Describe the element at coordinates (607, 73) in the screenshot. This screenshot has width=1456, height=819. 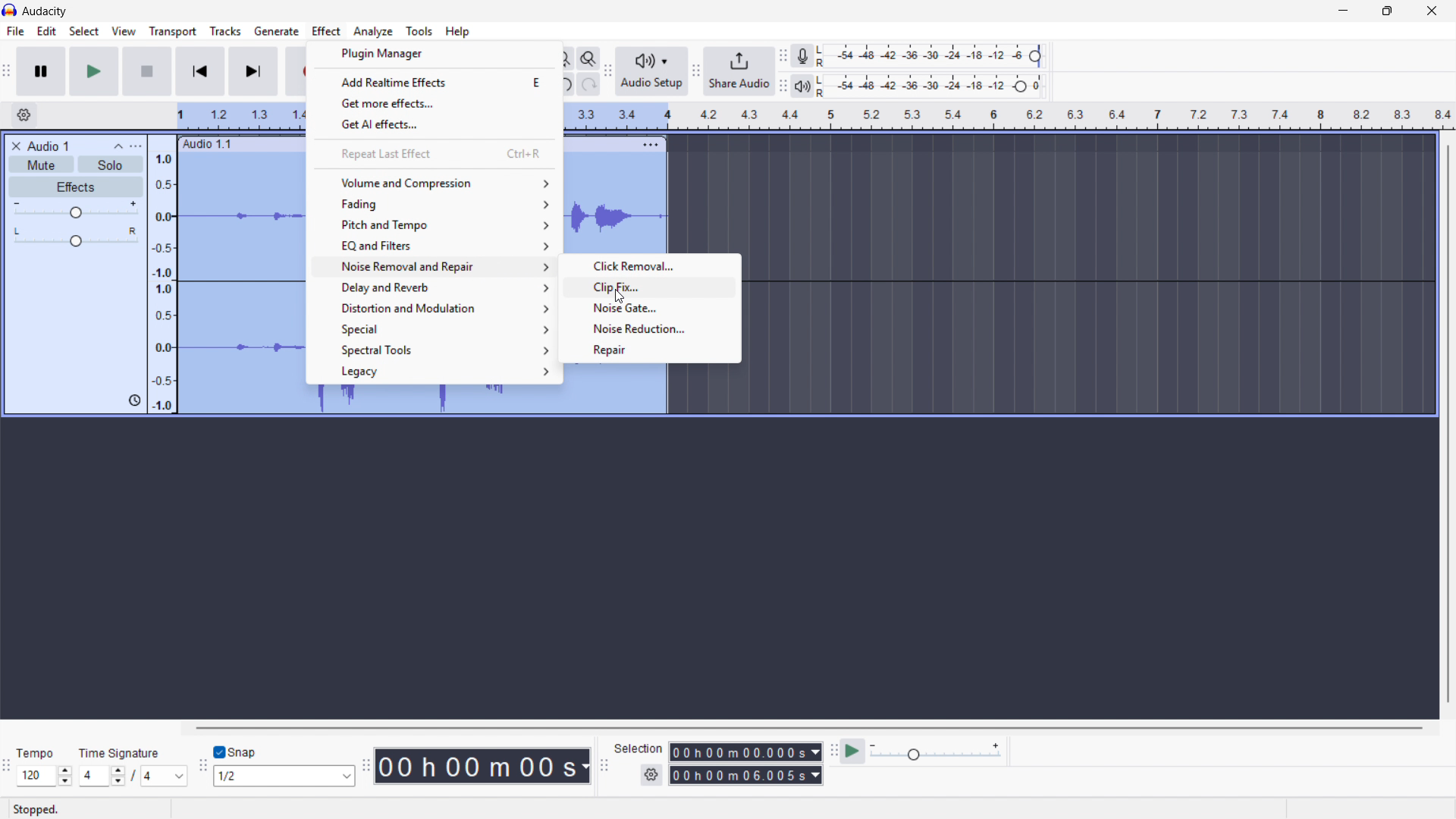
I see `audio setup toolbar` at that location.